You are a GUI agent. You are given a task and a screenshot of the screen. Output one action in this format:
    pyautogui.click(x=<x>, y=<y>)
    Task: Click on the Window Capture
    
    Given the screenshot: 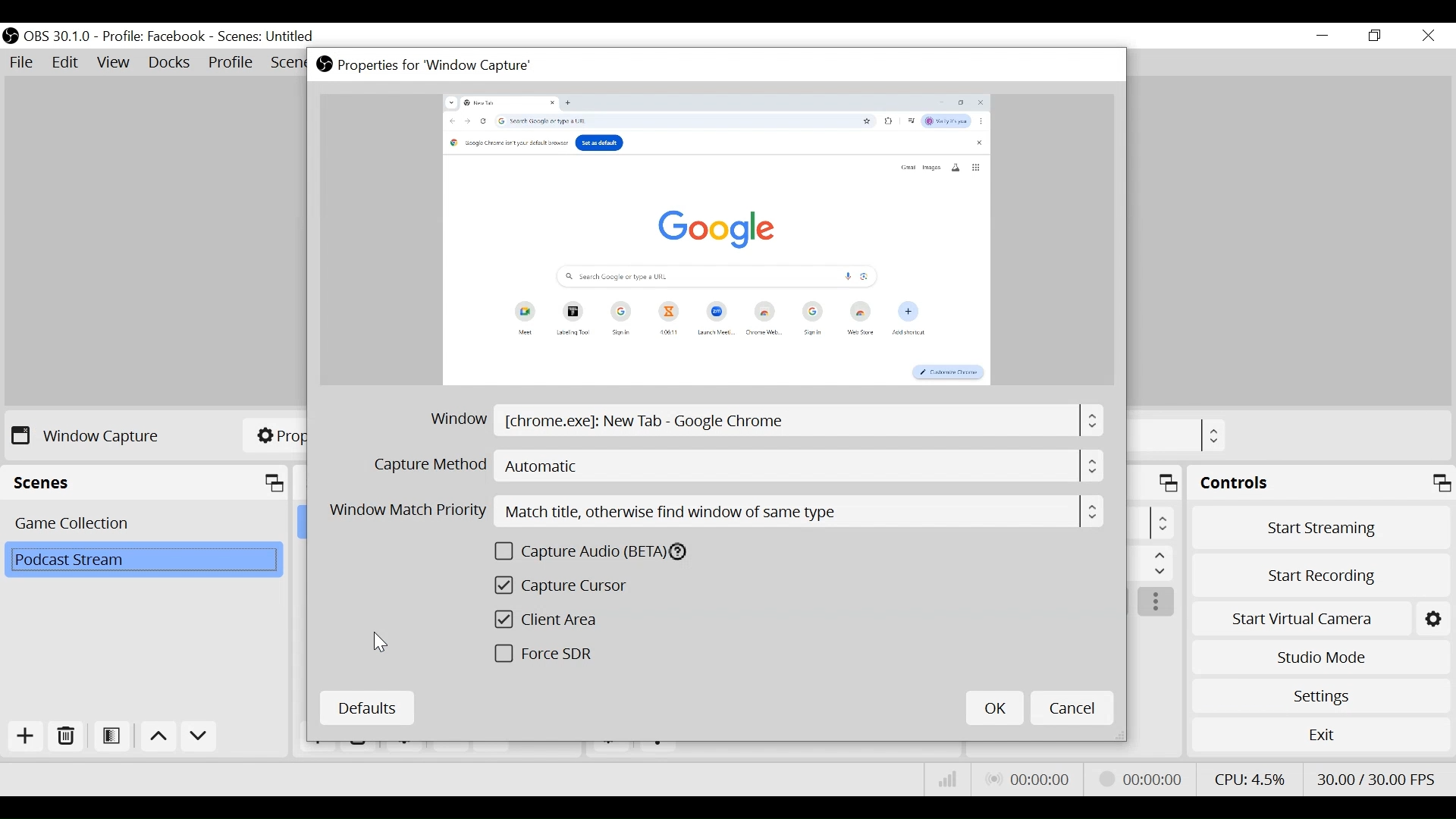 What is the action you would take?
    pyautogui.click(x=88, y=435)
    